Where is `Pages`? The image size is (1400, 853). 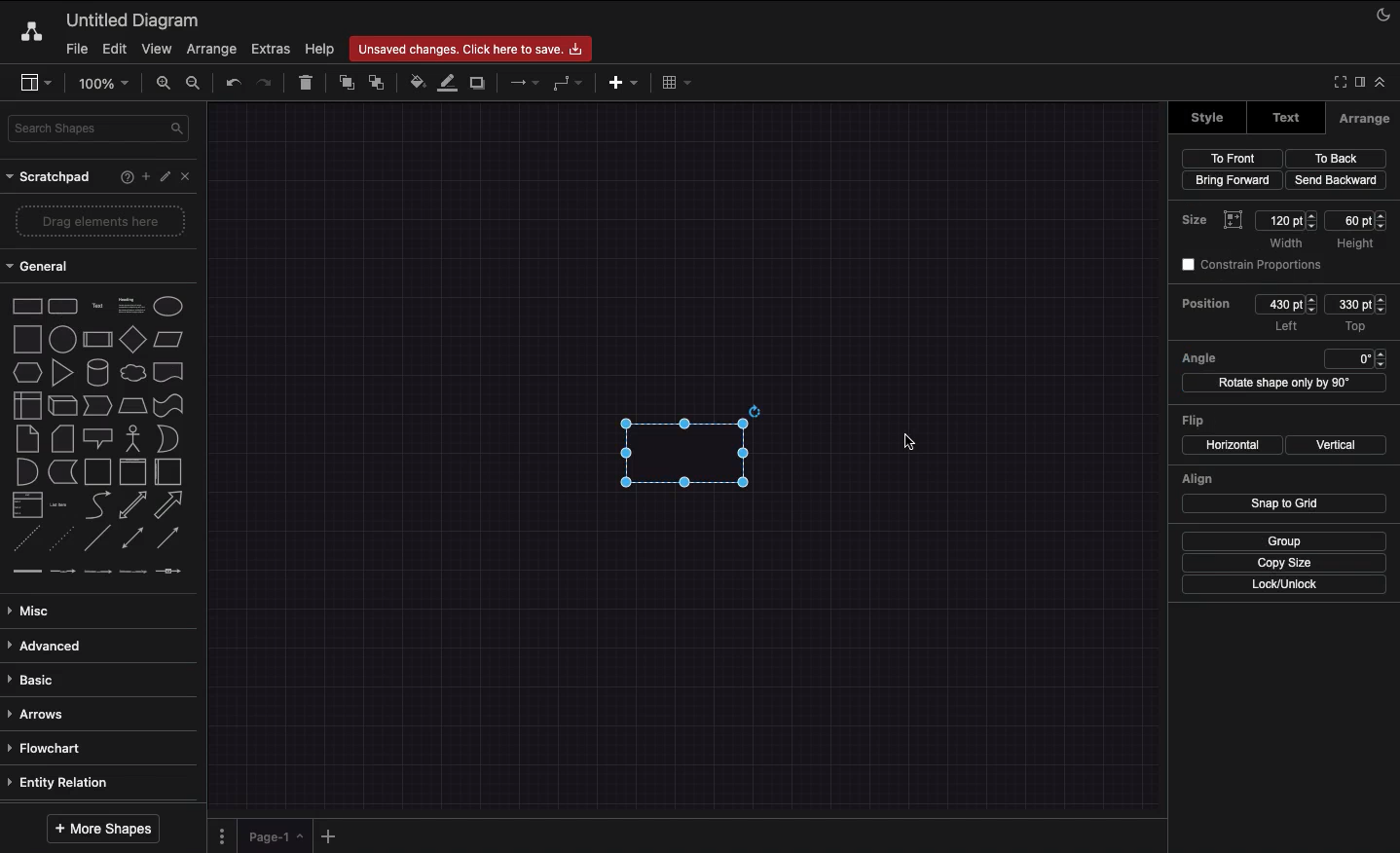 Pages is located at coordinates (220, 836).